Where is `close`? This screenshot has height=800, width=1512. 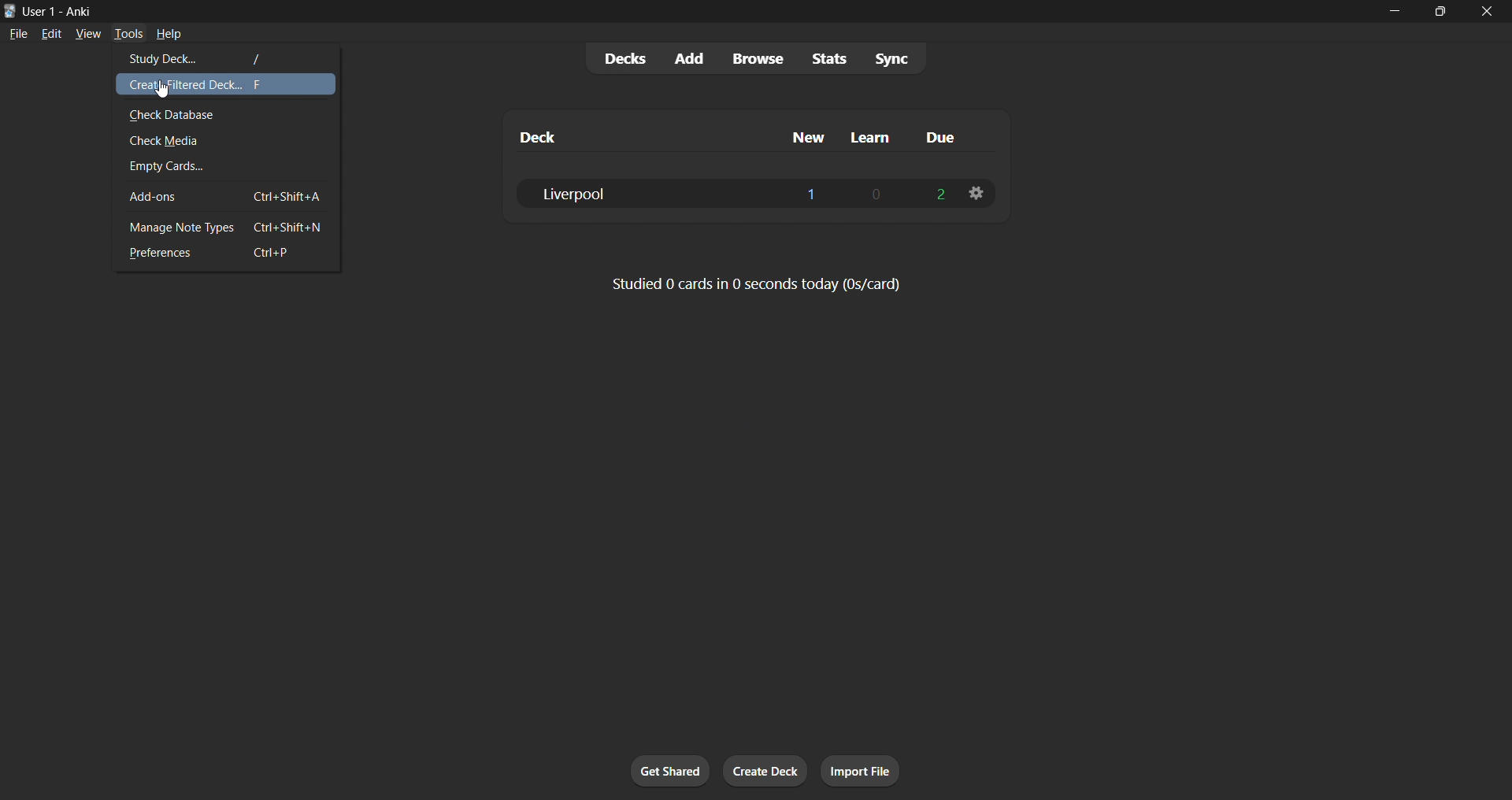
close is located at coordinates (1487, 11).